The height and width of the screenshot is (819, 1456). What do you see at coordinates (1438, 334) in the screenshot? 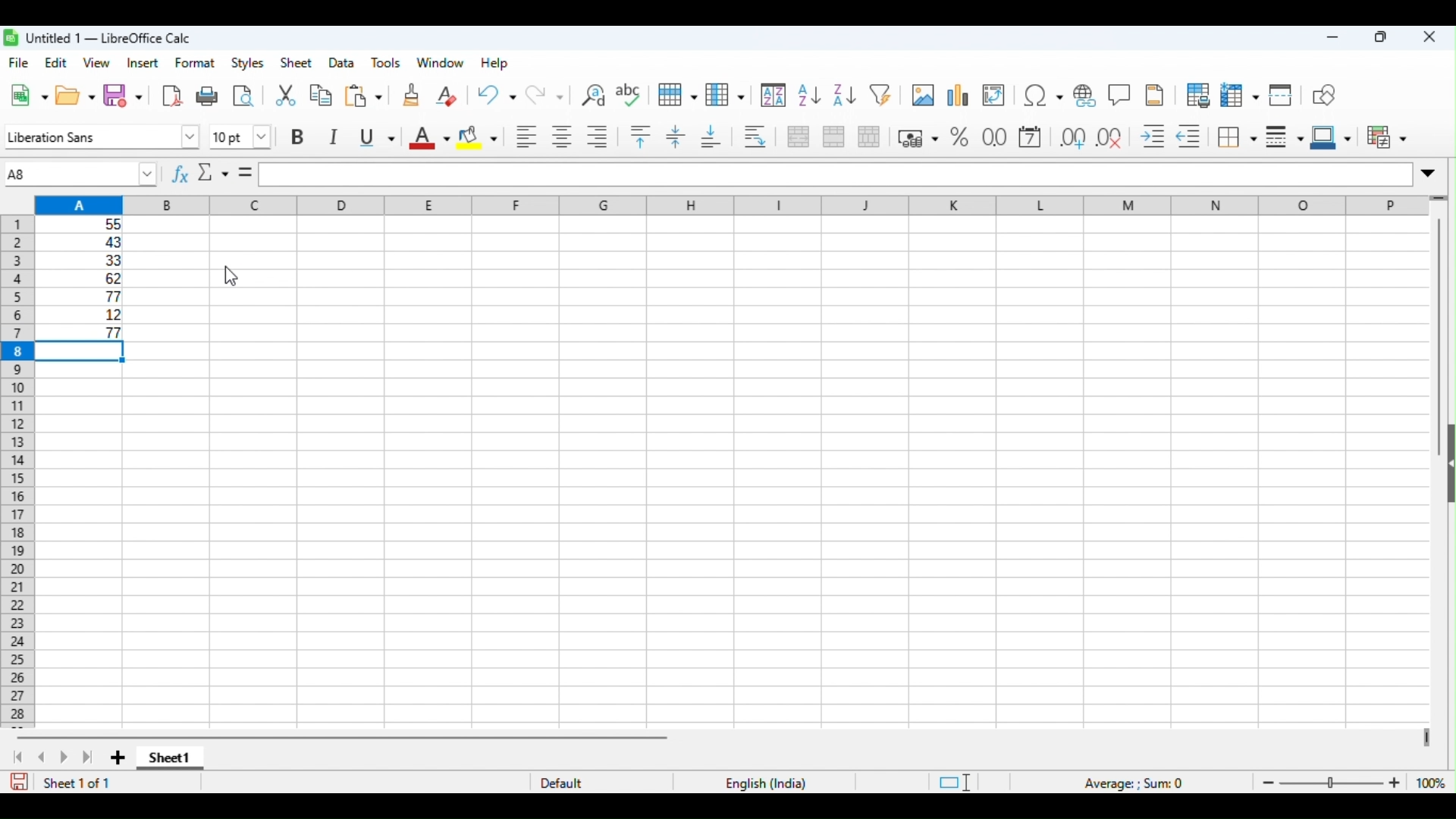
I see `vertical scroll bar` at bounding box center [1438, 334].